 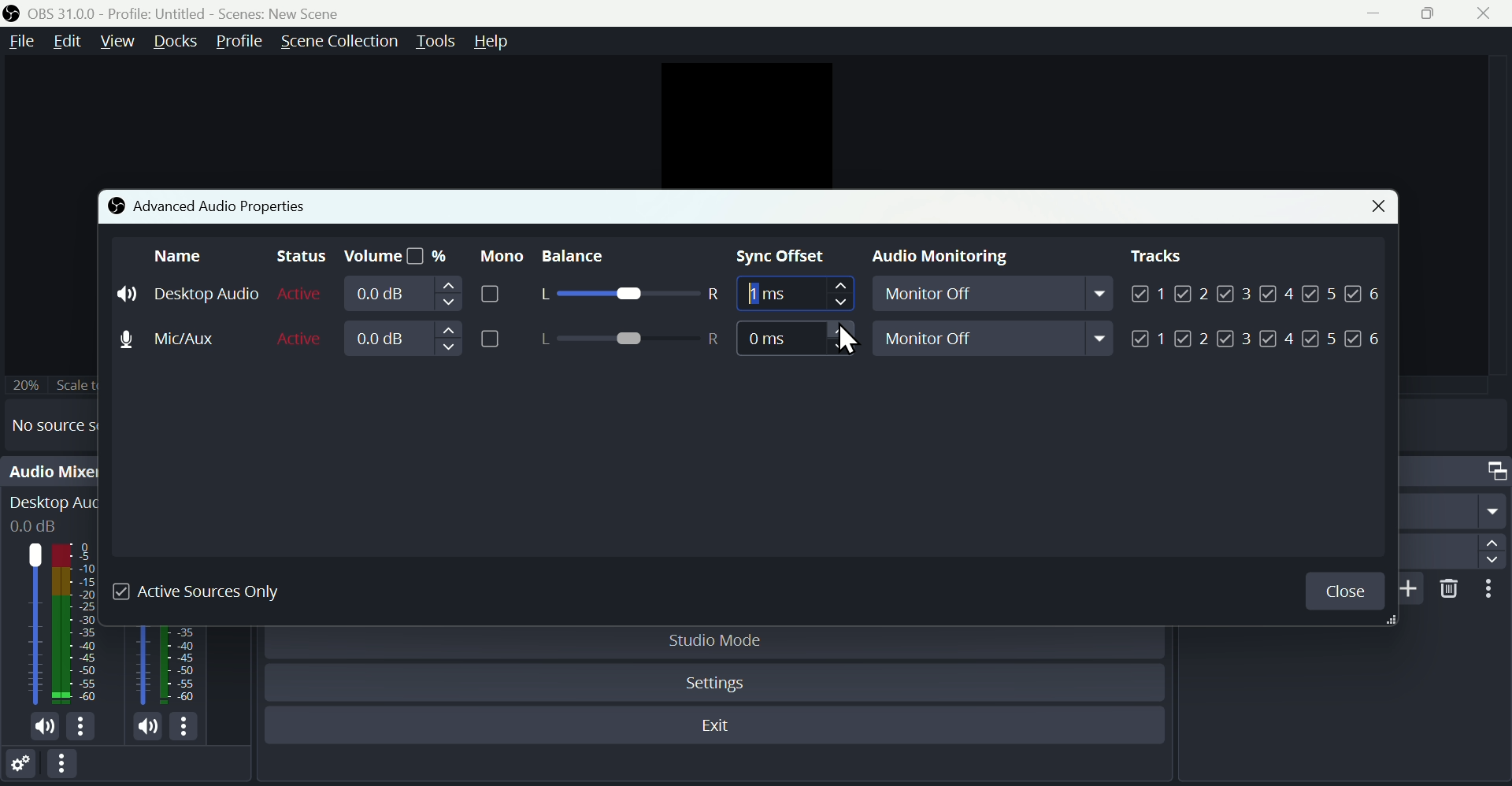 I want to click on Audio monitoring, so click(x=934, y=258).